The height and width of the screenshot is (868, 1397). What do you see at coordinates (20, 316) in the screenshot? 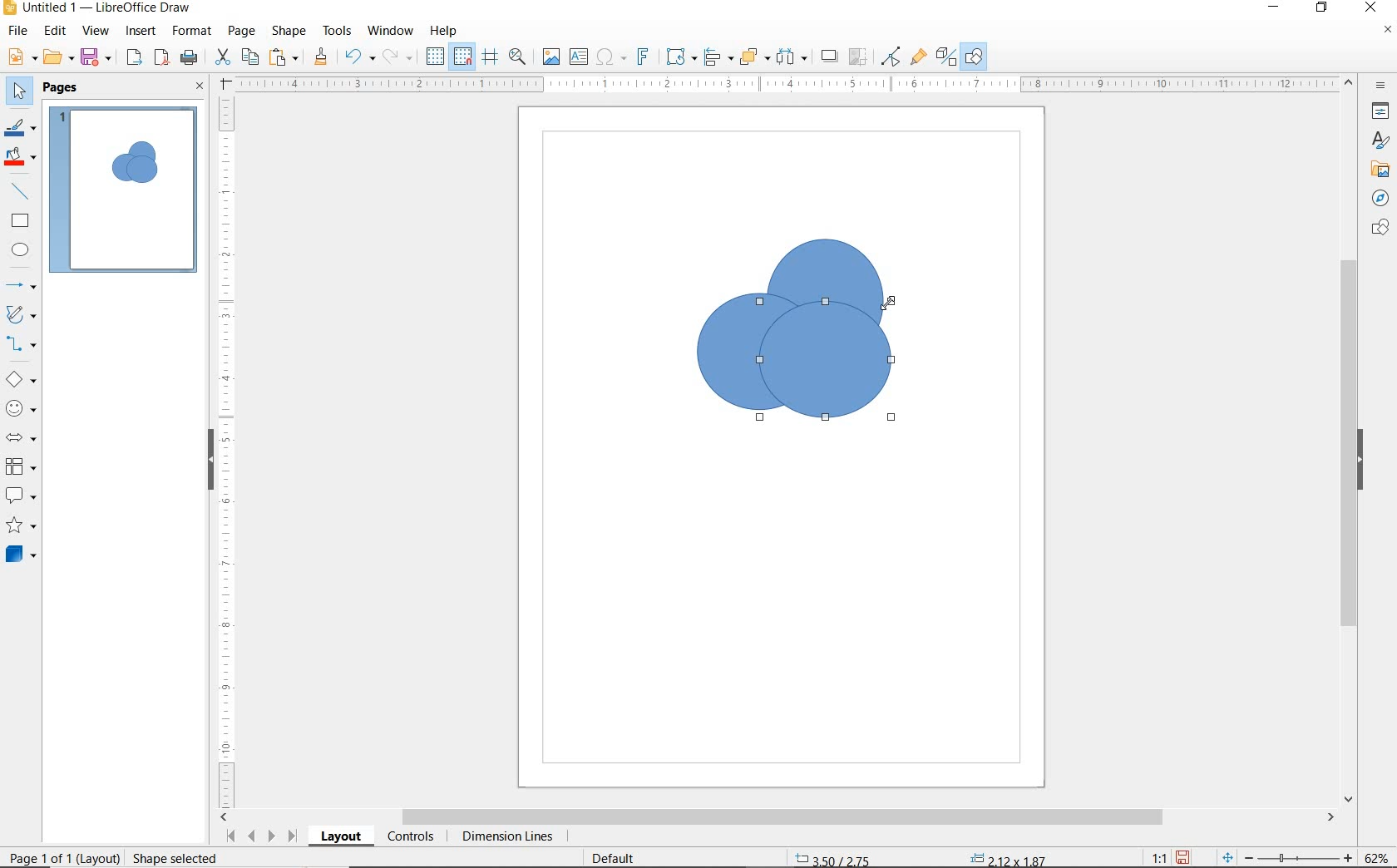
I see `CURVES AND POLYGONS` at bounding box center [20, 316].